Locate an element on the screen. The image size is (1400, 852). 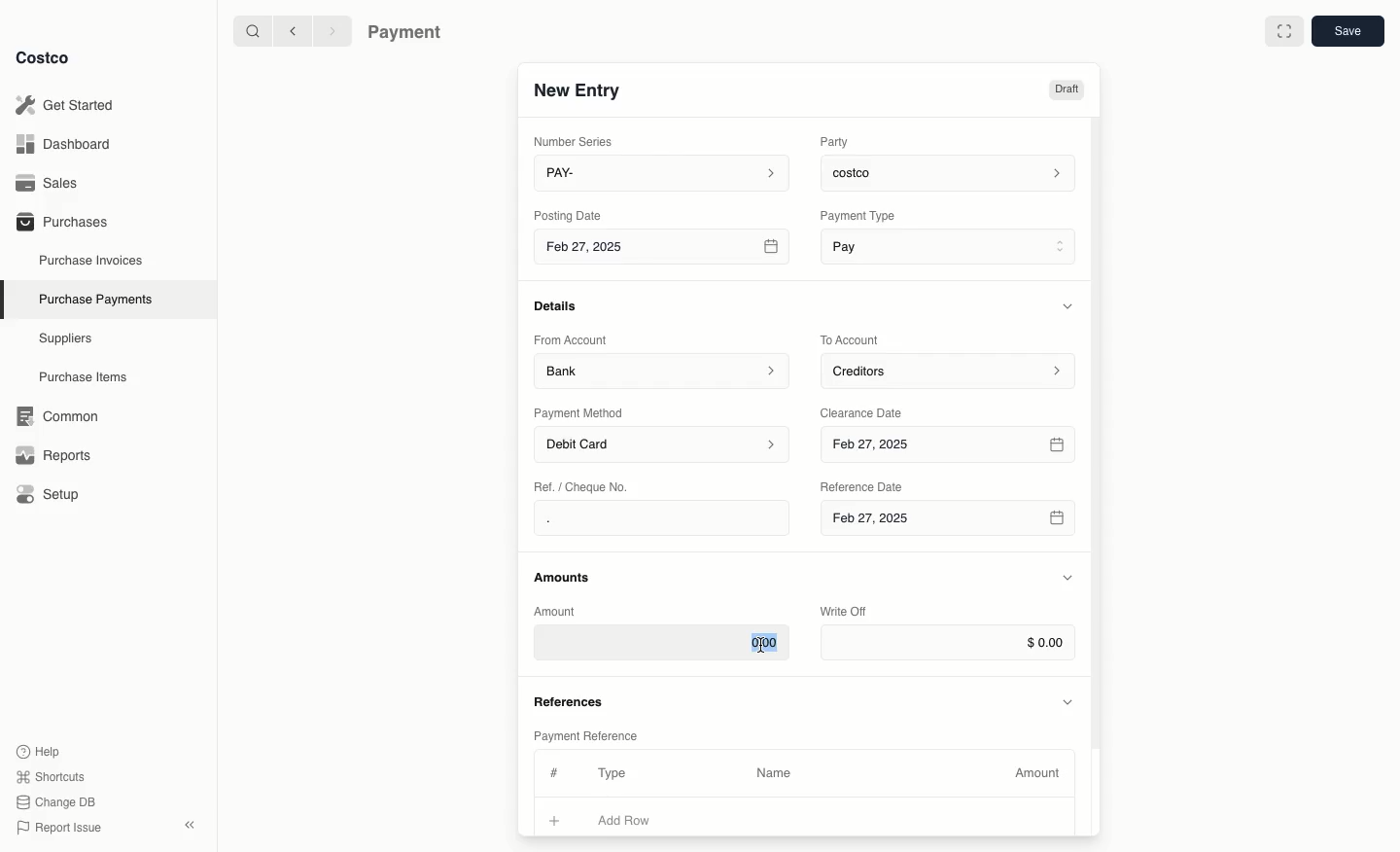
Purchase Invoices is located at coordinates (92, 260).